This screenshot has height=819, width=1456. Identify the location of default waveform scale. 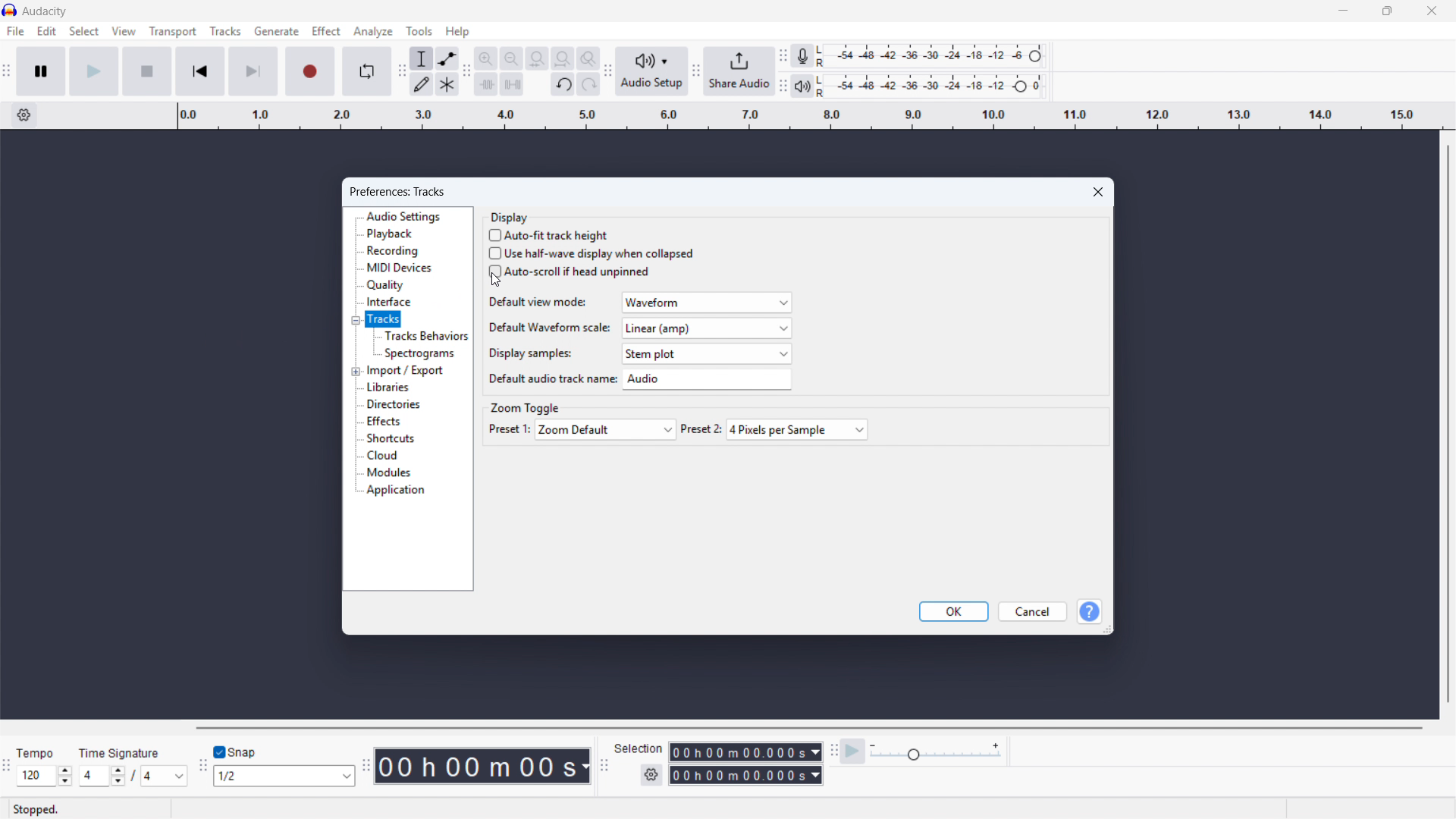
(639, 328).